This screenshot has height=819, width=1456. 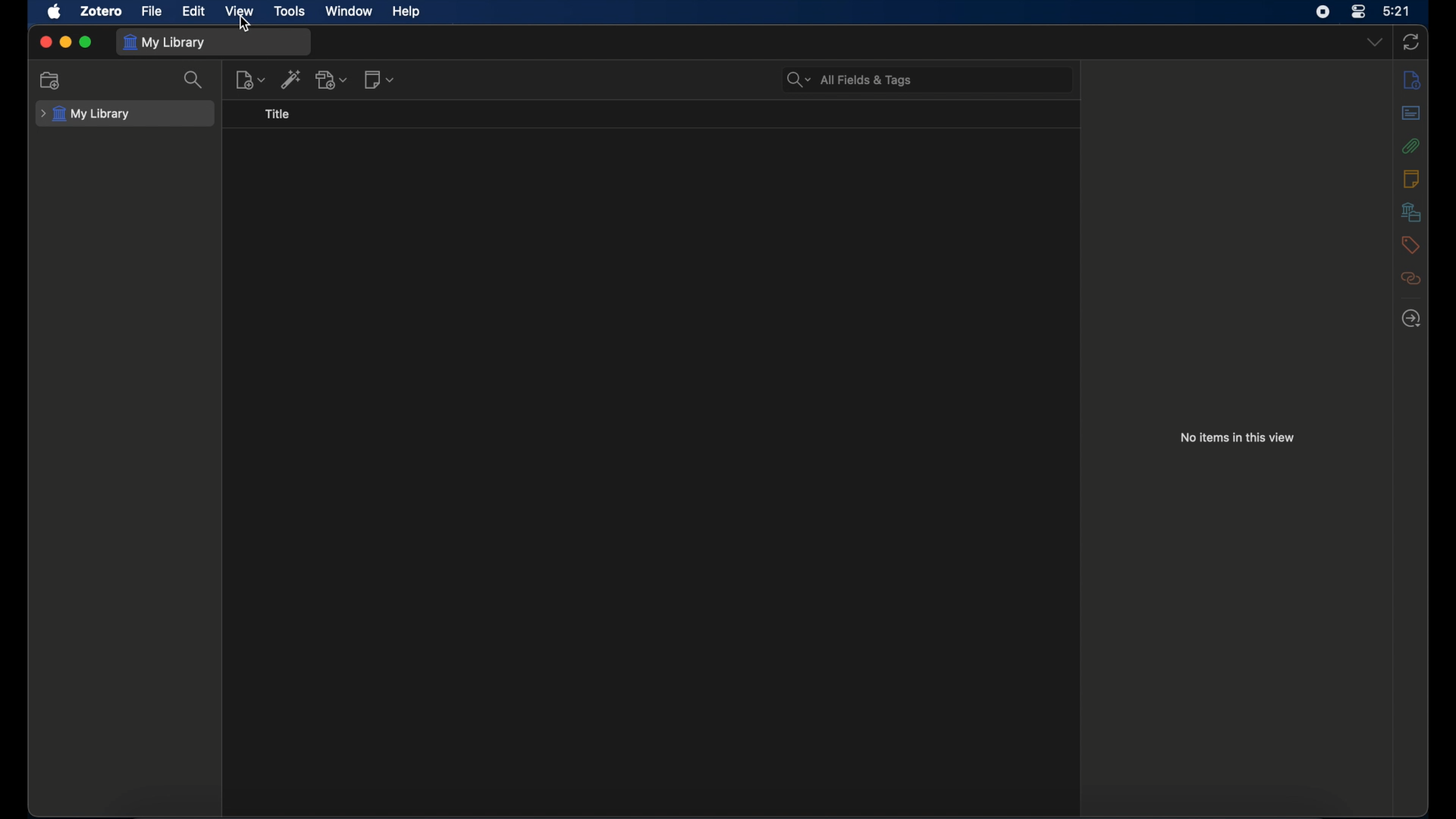 What do you see at coordinates (153, 12) in the screenshot?
I see `file` at bounding box center [153, 12].